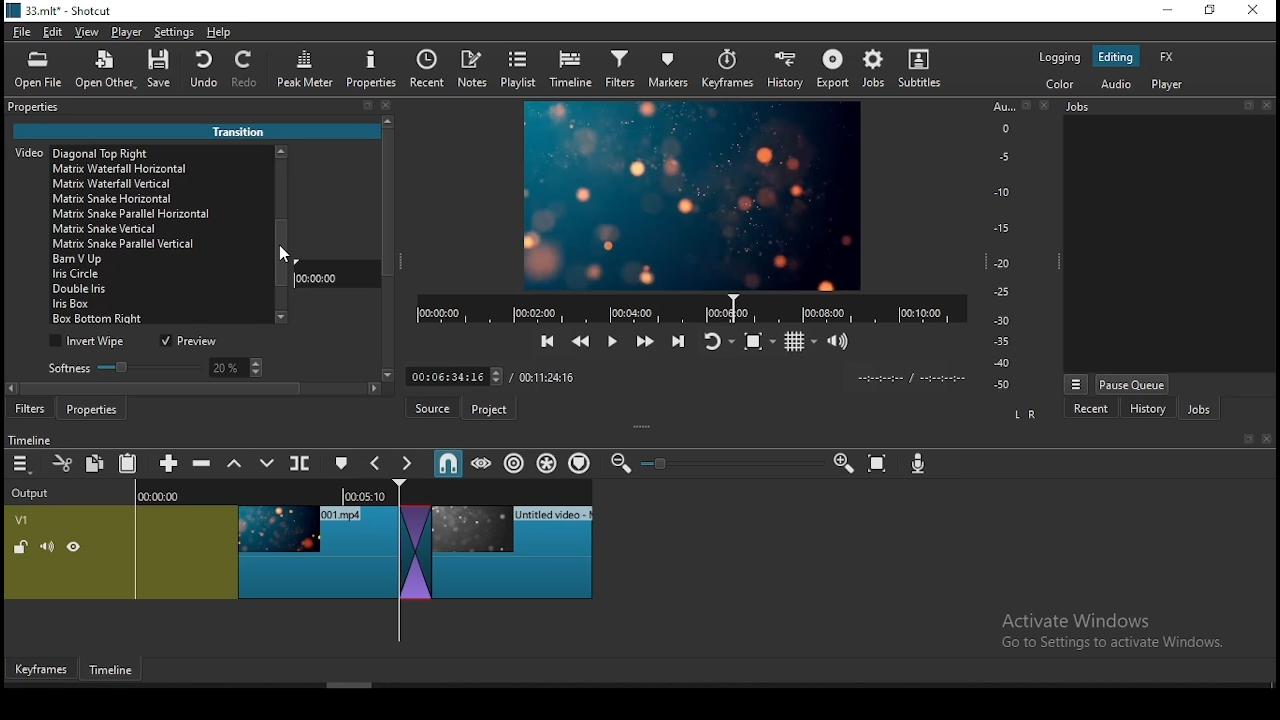  Describe the element at coordinates (192, 342) in the screenshot. I see `preview on/off` at that location.